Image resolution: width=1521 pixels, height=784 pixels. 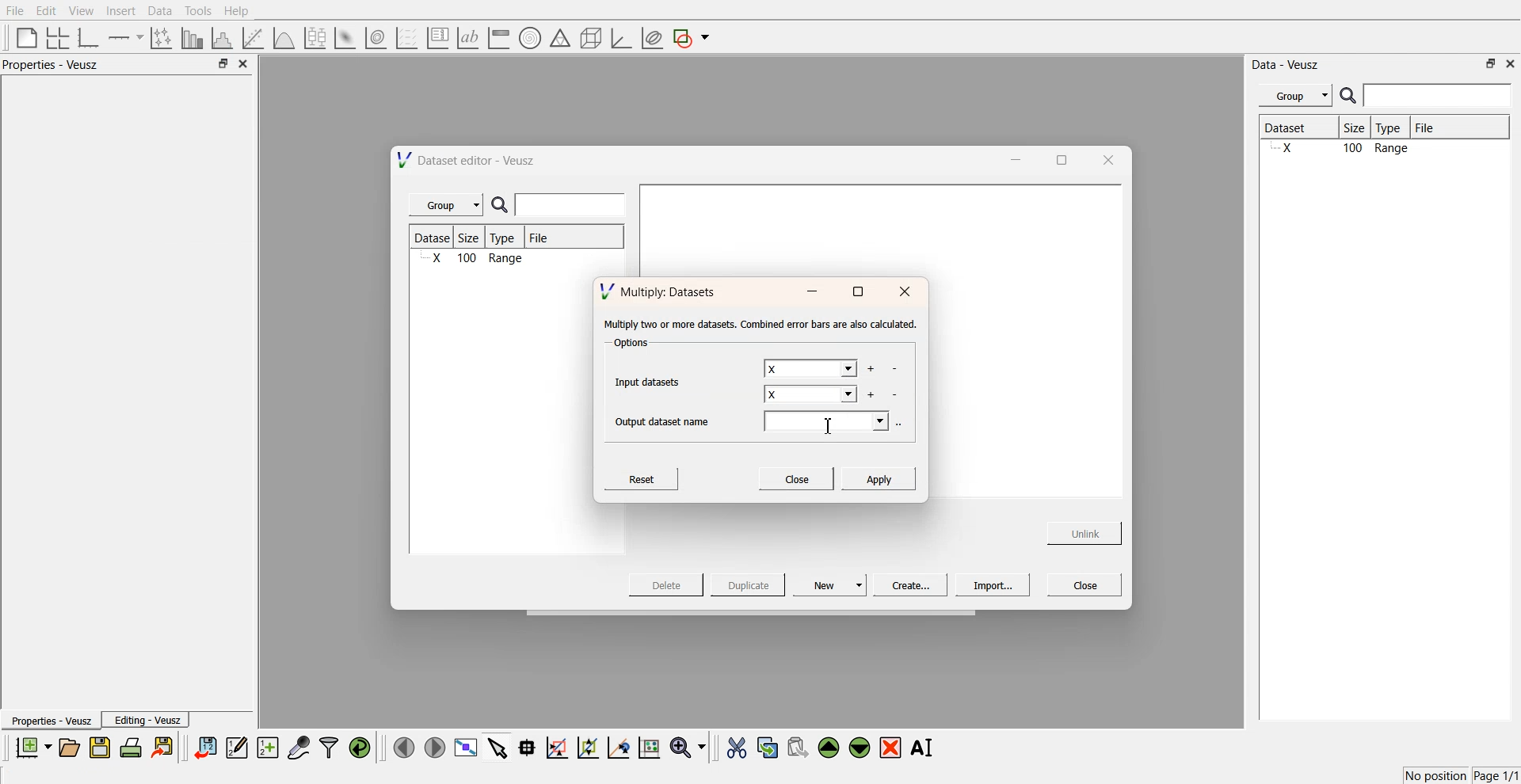 What do you see at coordinates (1350, 95) in the screenshot?
I see `search icon` at bounding box center [1350, 95].